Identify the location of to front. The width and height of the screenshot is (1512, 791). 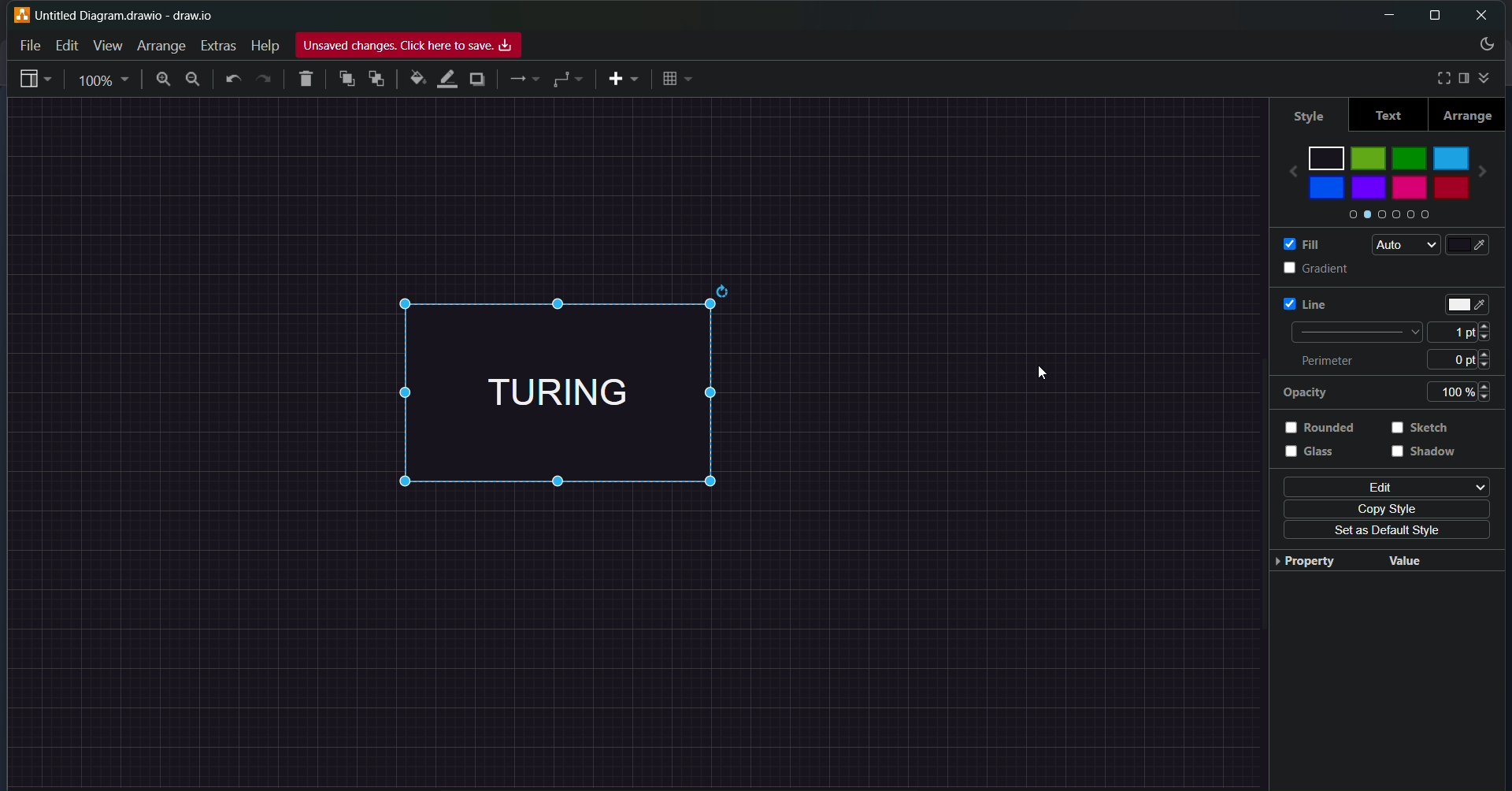
(346, 78).